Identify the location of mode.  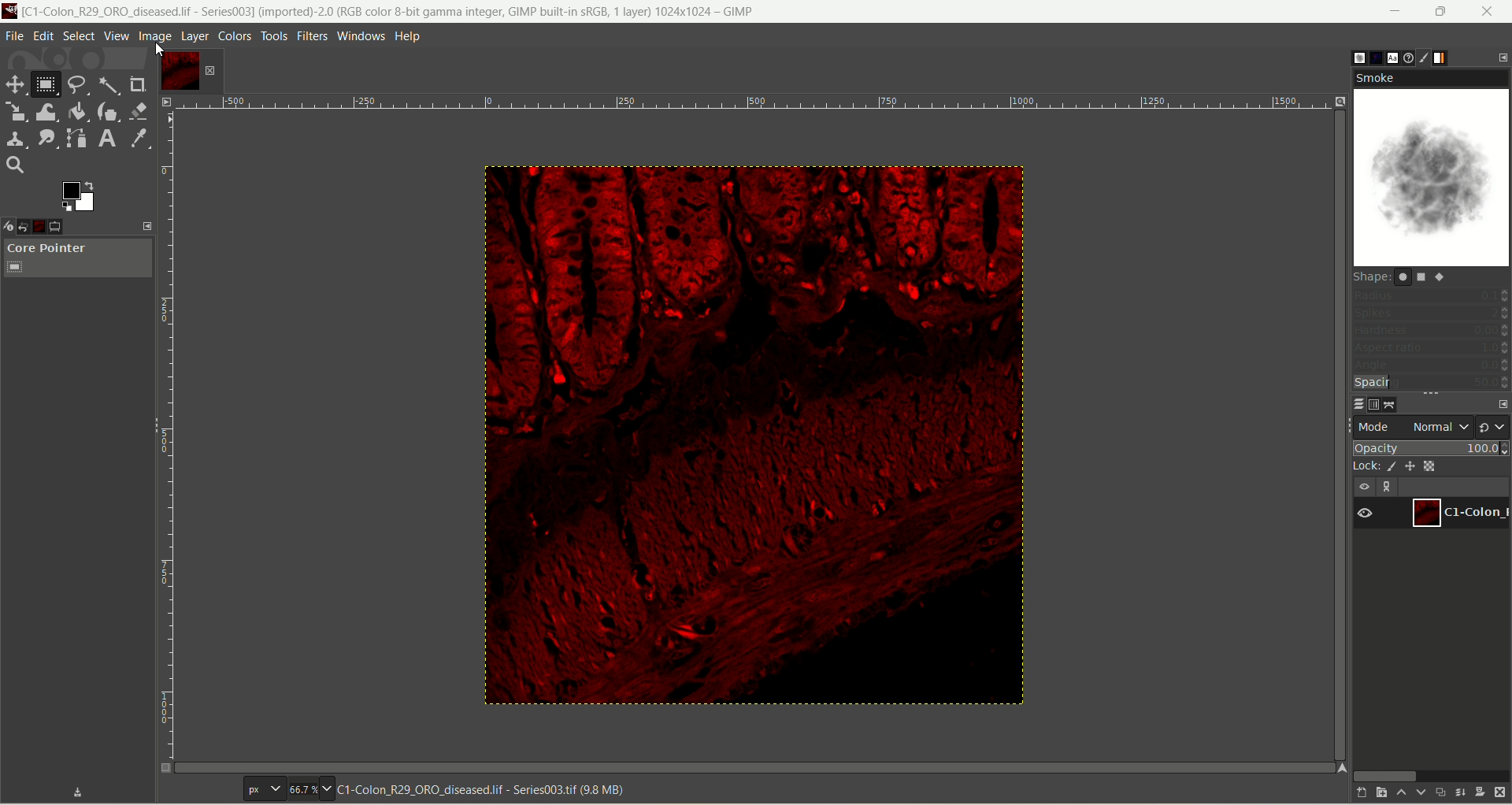
(1375, 426).